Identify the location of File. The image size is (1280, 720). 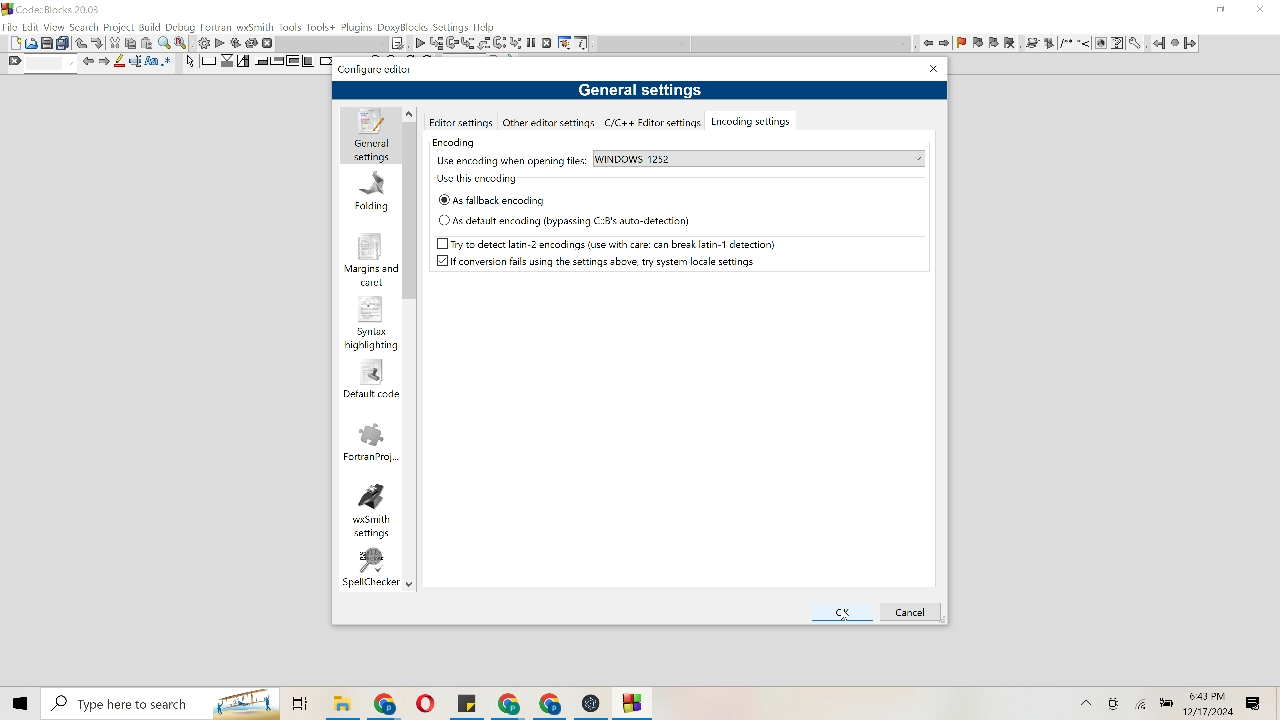
(467, 703).